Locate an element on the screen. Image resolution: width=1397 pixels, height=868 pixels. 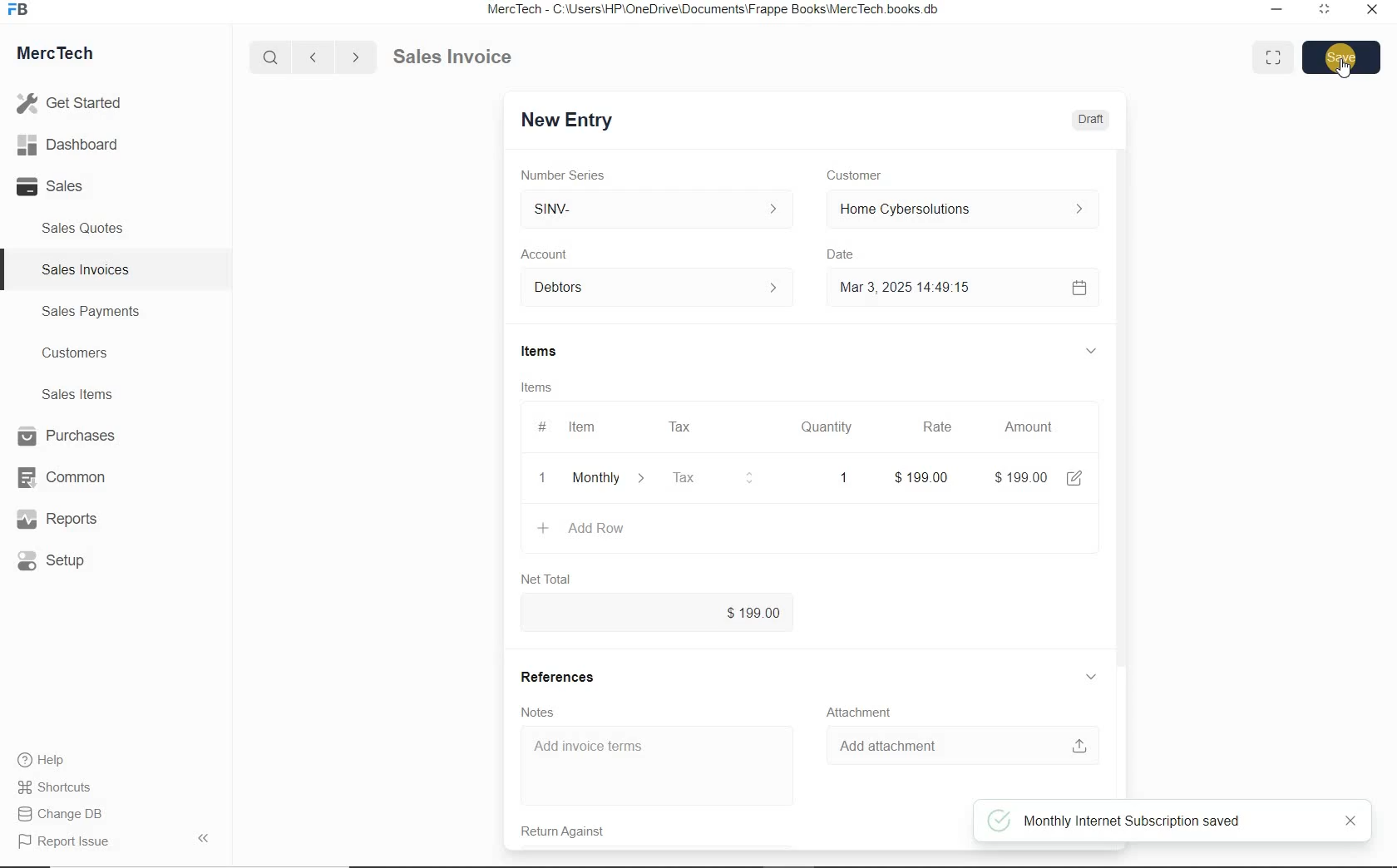
Quantity is located at coordinates (822, 430).